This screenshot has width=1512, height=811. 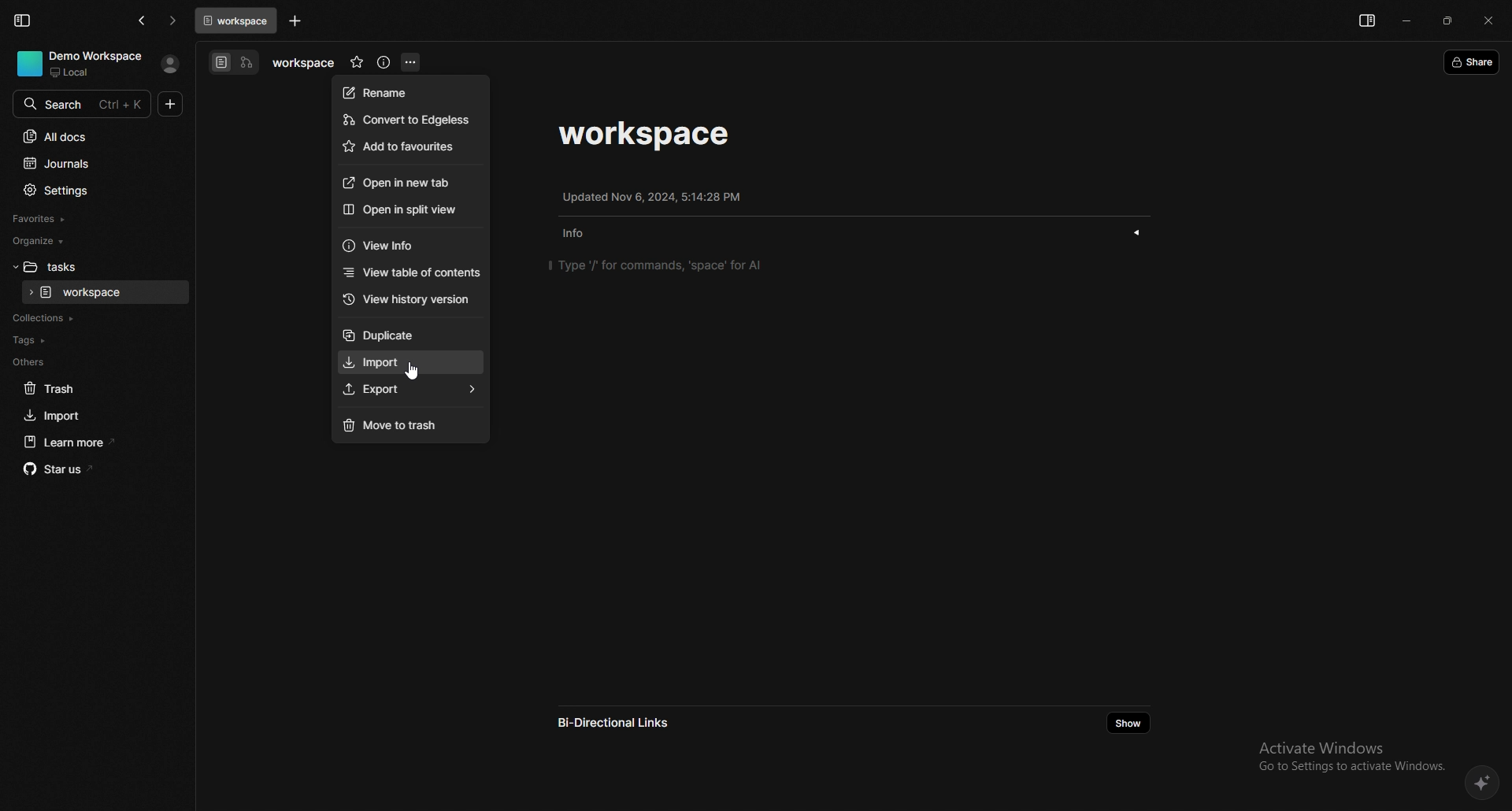 I want to click on settings, so click(x=91, y=191).